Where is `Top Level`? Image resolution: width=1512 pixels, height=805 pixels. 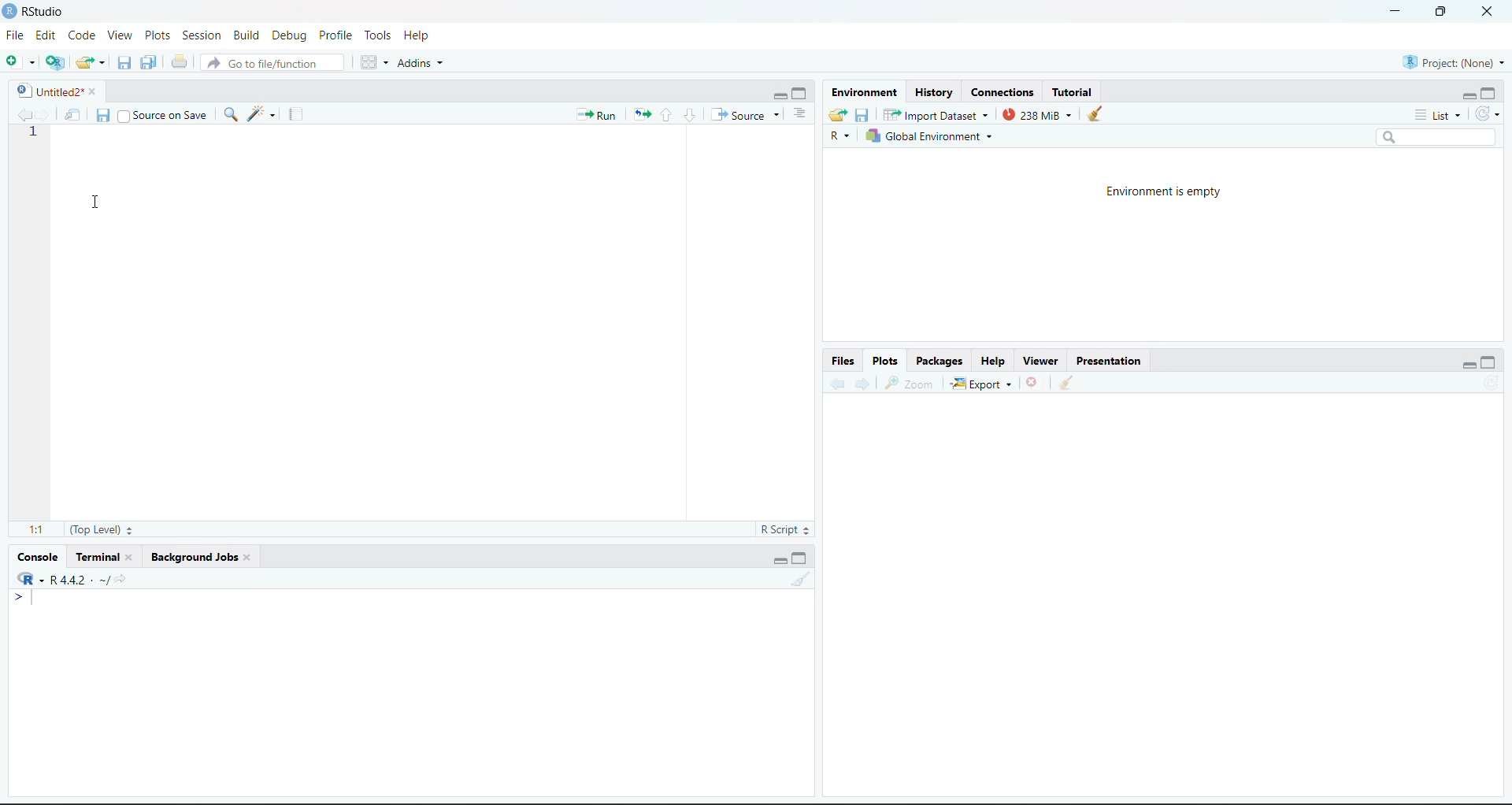 Top Level is located at coordinates (102, 529).